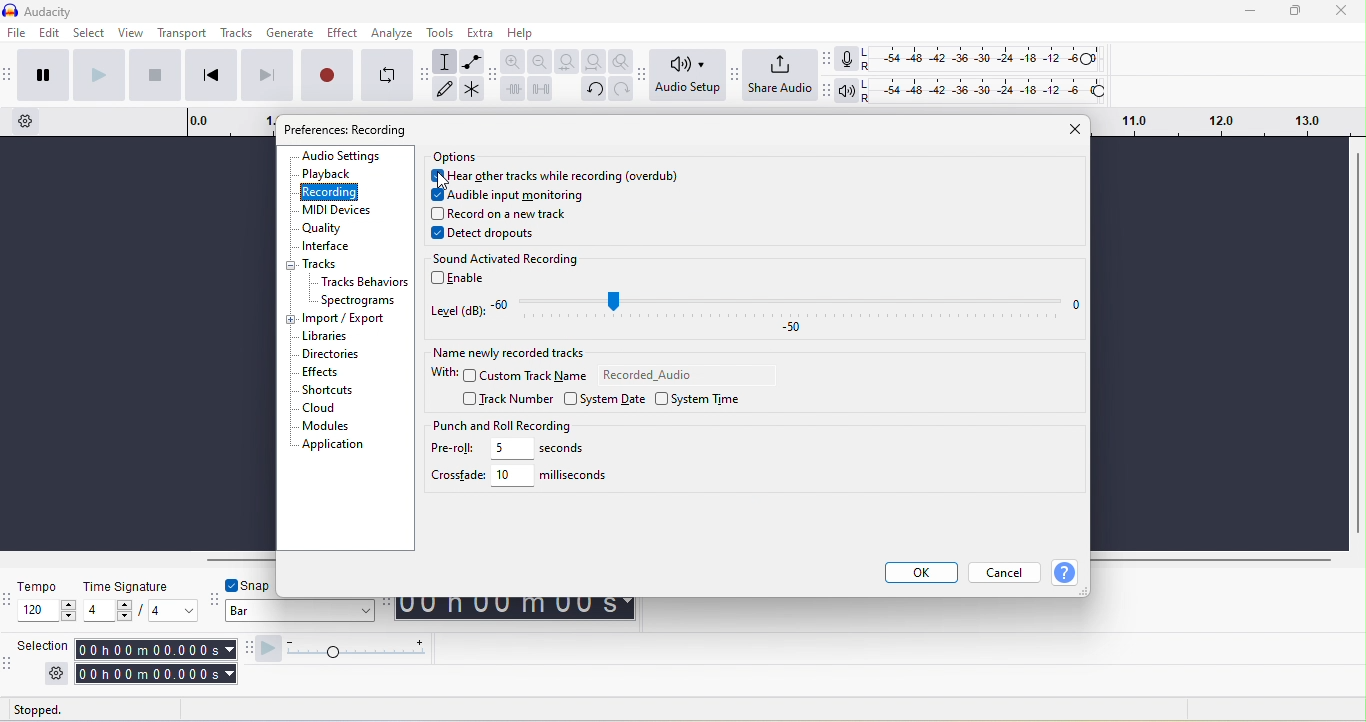 This screenshot has height=722, width=1366. I want to click on redo, so click(621, 90).